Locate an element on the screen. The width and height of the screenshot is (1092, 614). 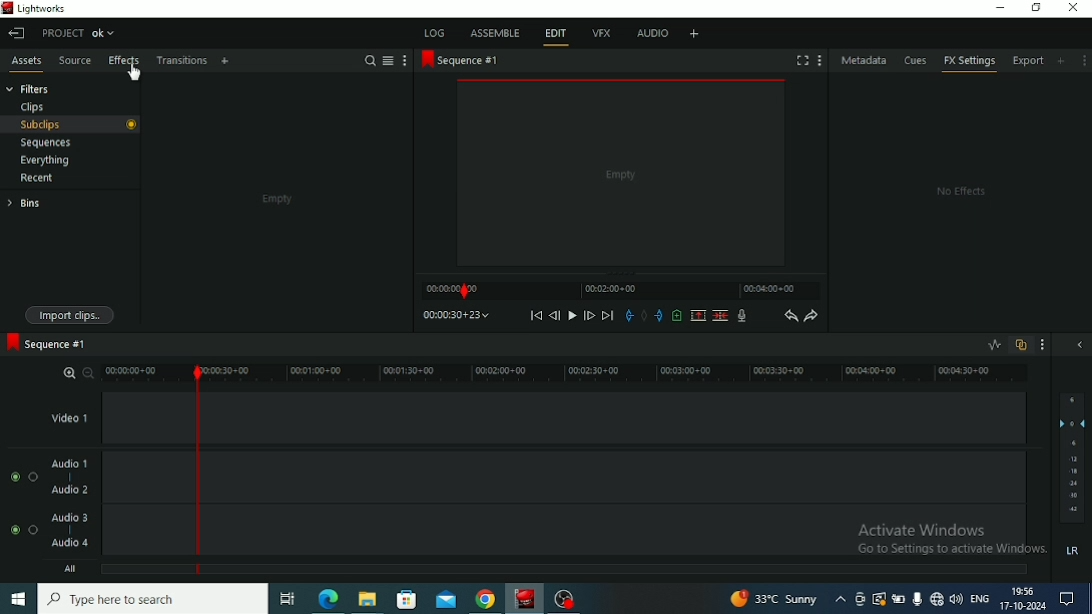
Audio 3 and 4 is located at coordinates (89, 532).